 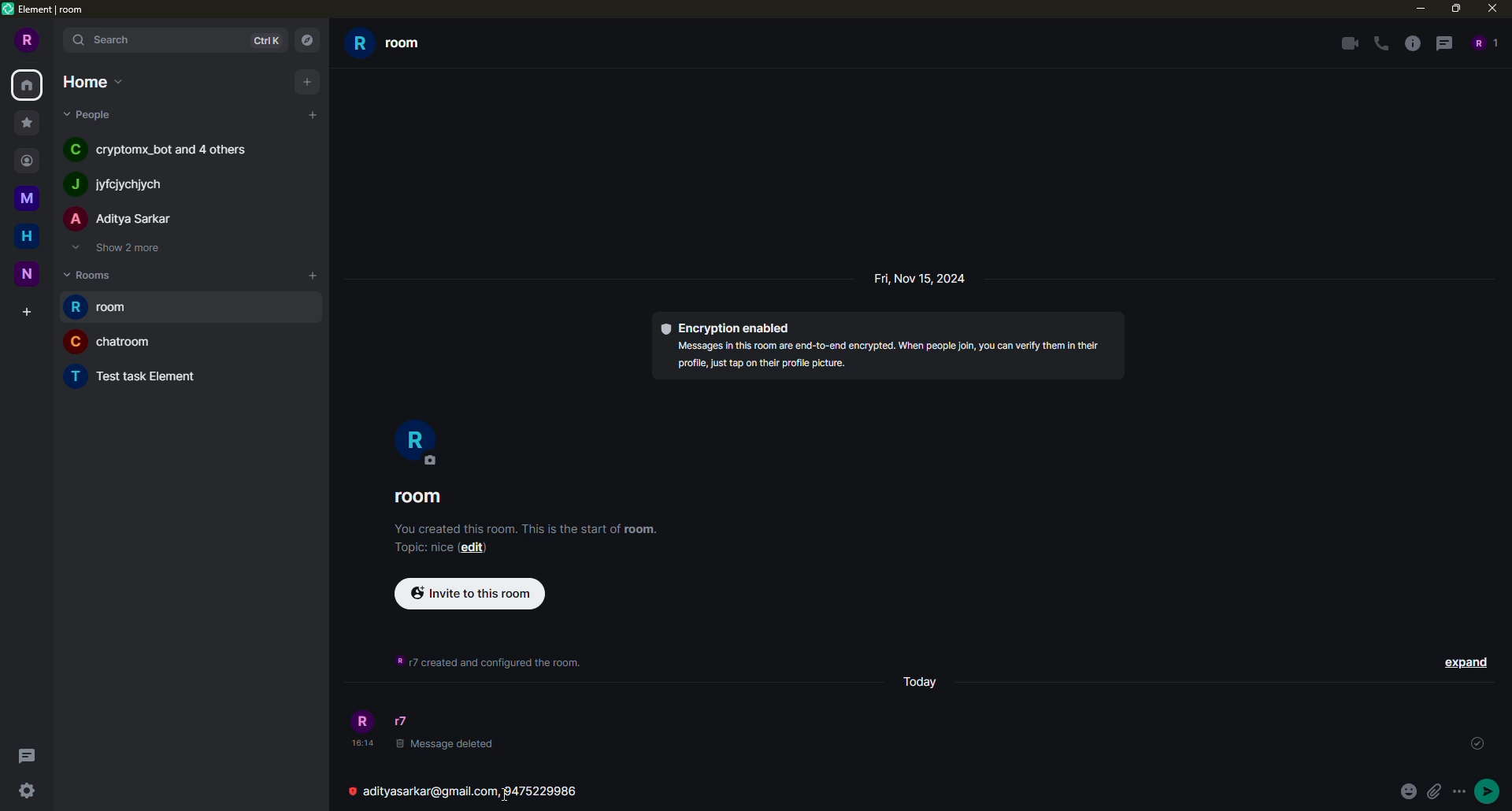 I want to click on navigator, so click(x=306, y=40).